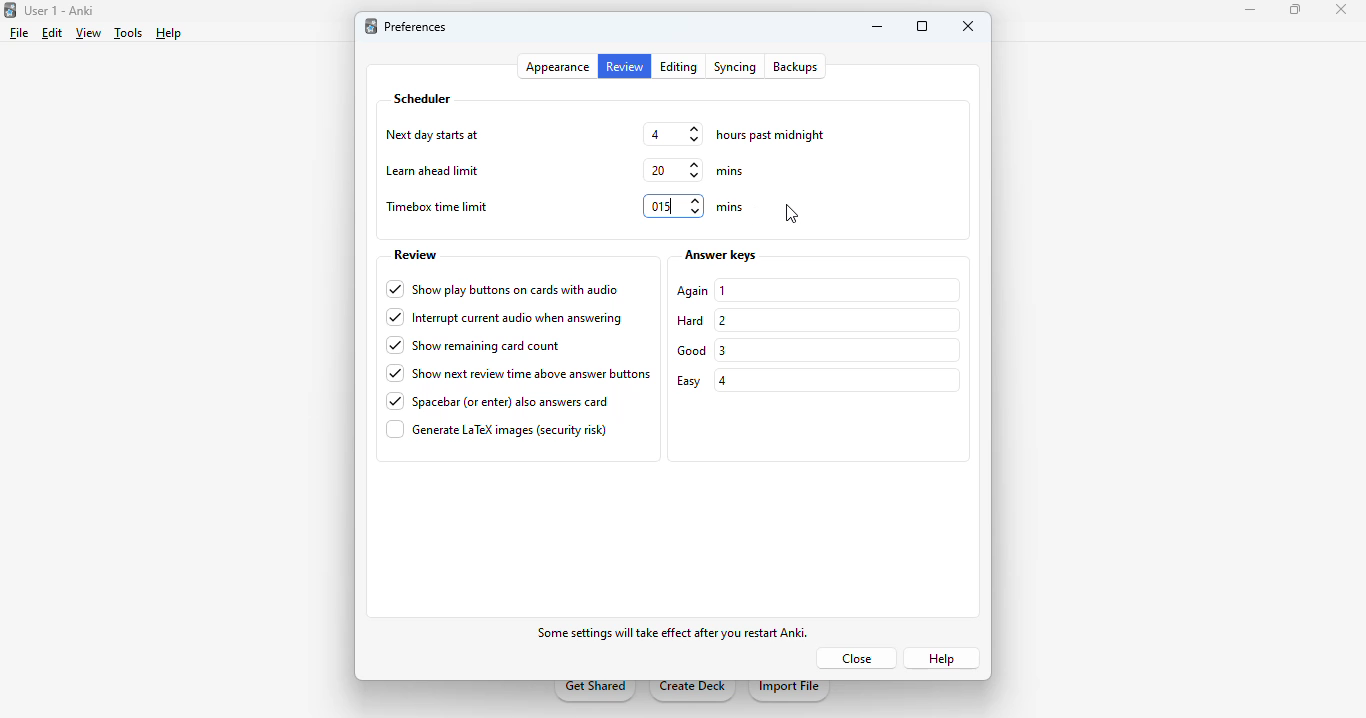 The width and height of the screenshot is (1366, 718). What do you see at coordinates (473, 345) in the screenshot?
I see `show remaining card count` at bounding box center [473, 345].